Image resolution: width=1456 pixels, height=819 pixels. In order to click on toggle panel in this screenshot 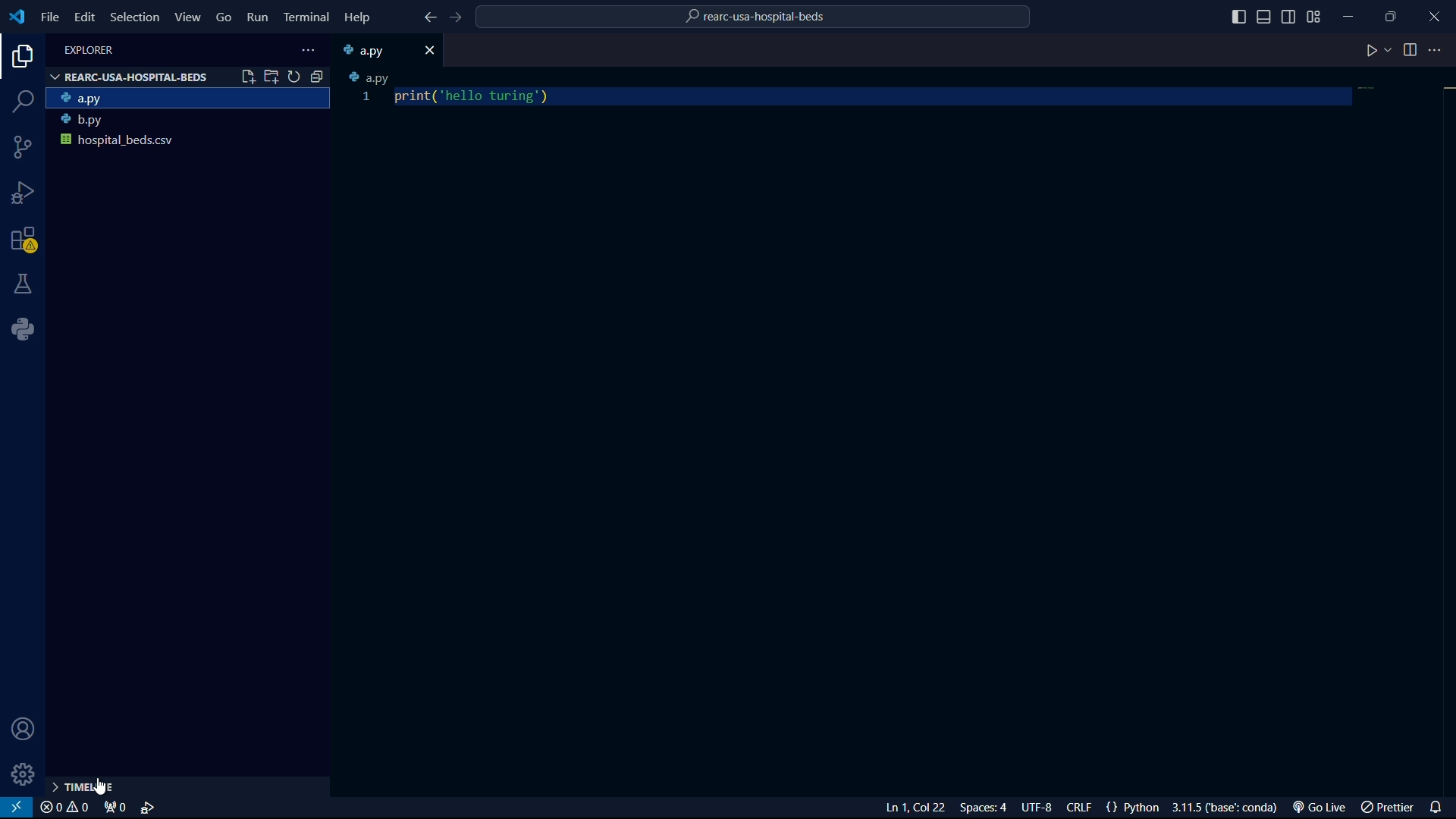, I will do `click(1266, 17)`.